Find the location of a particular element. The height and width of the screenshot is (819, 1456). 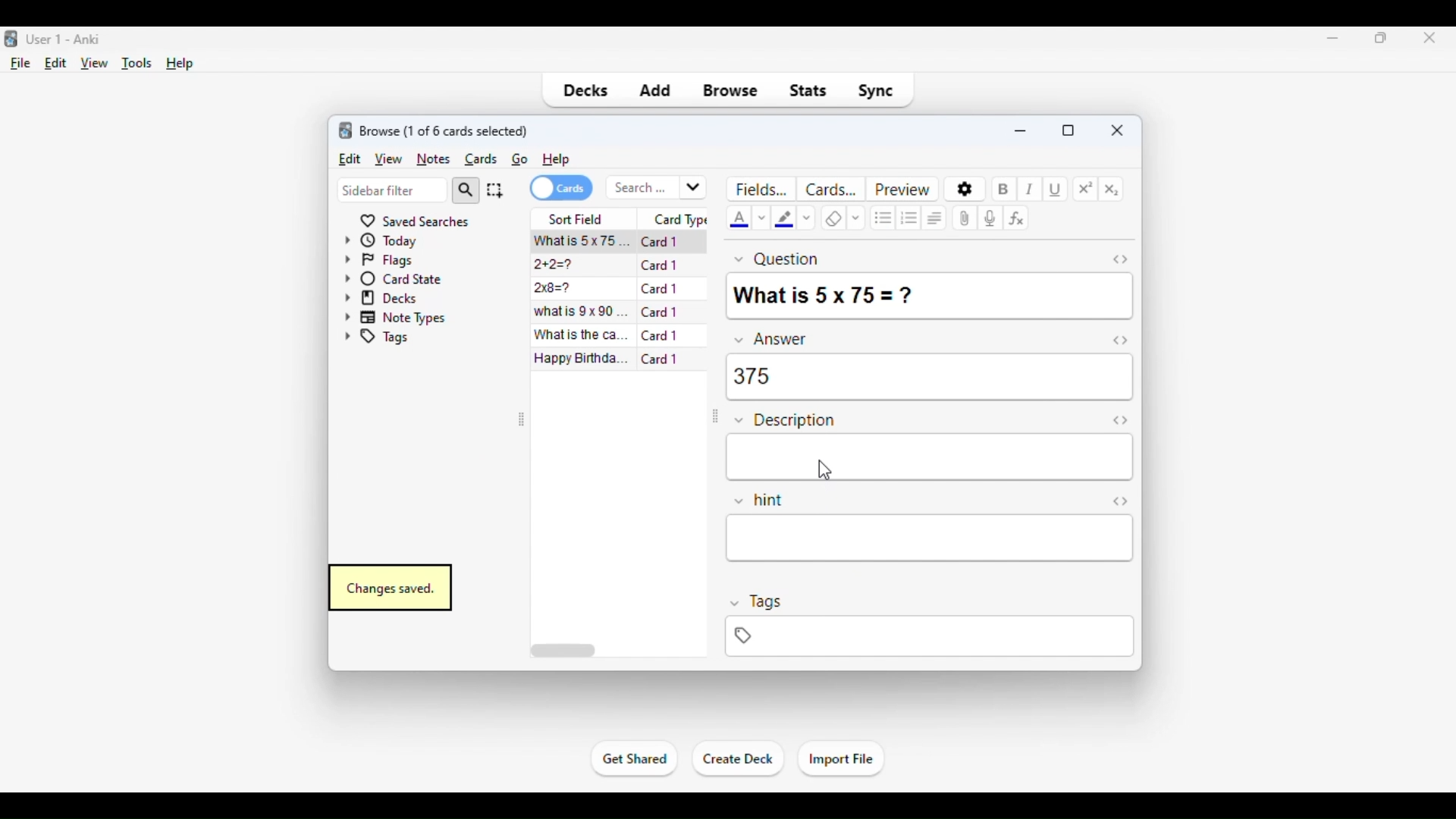

toggle sidebar is located at coordinates (714, 418).